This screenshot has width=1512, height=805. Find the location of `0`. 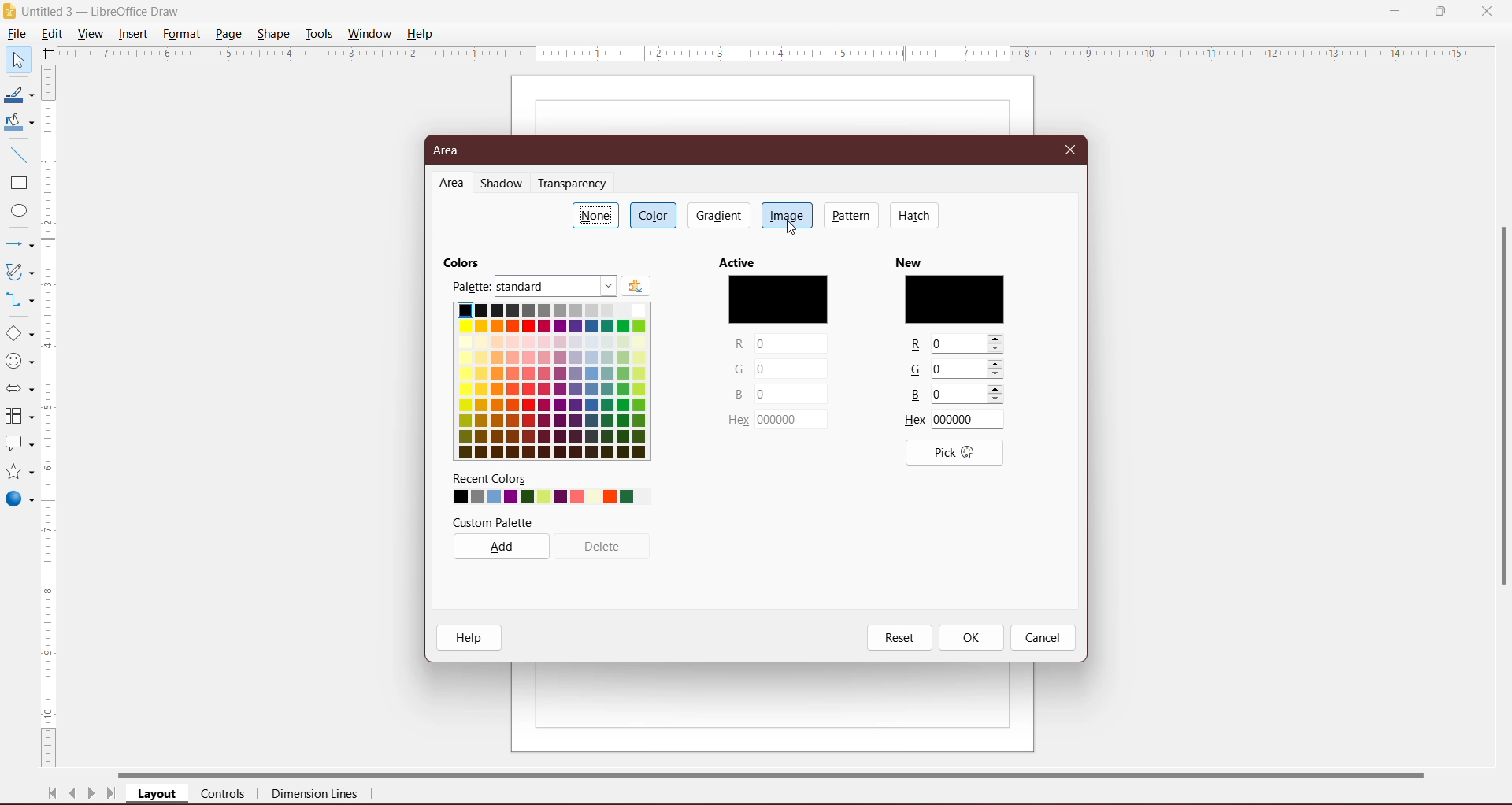

0 is located at coordinates (968, 369).